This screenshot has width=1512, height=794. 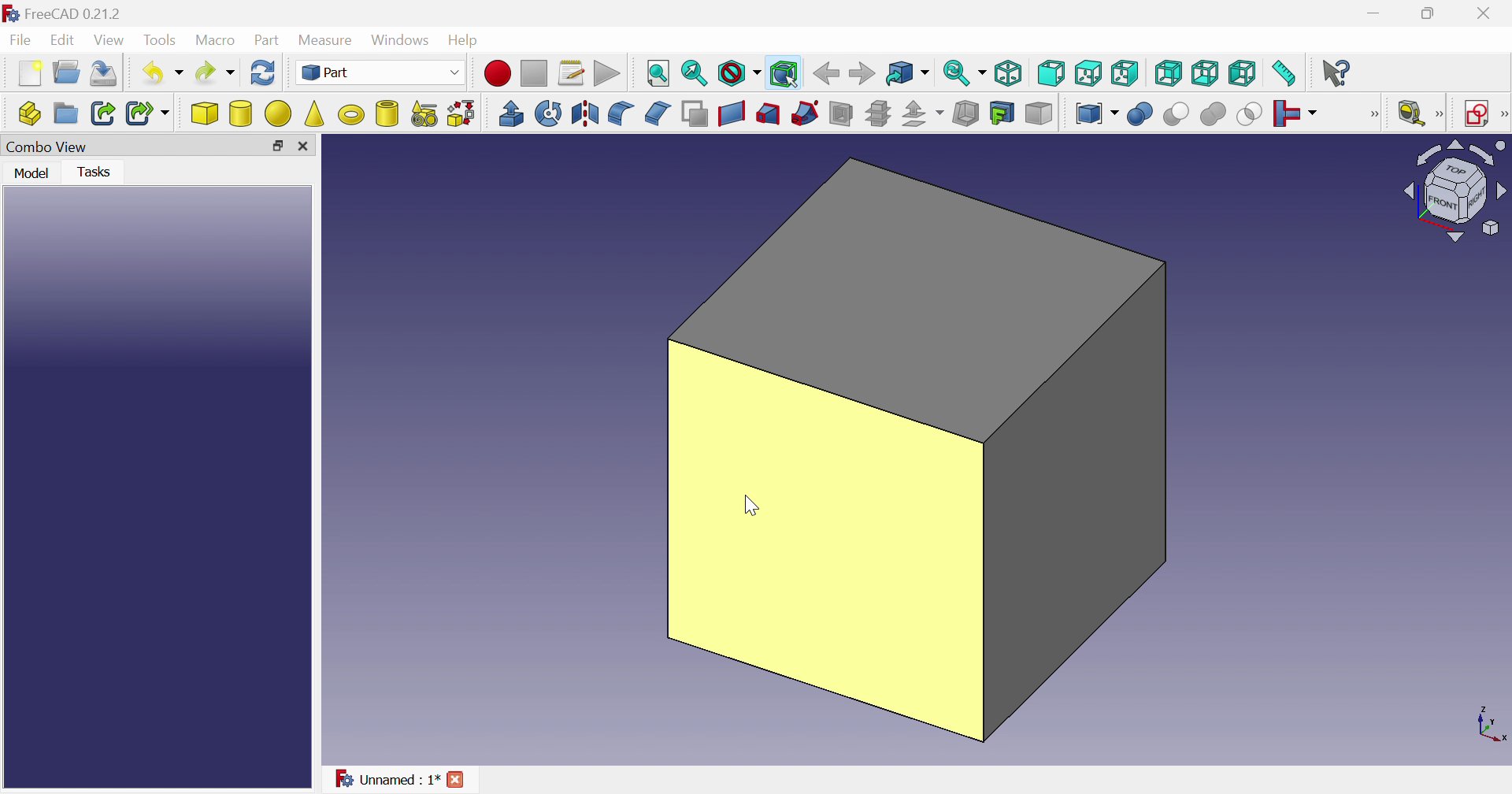 I want to click on Bottom, so click(x=1205, y=73).